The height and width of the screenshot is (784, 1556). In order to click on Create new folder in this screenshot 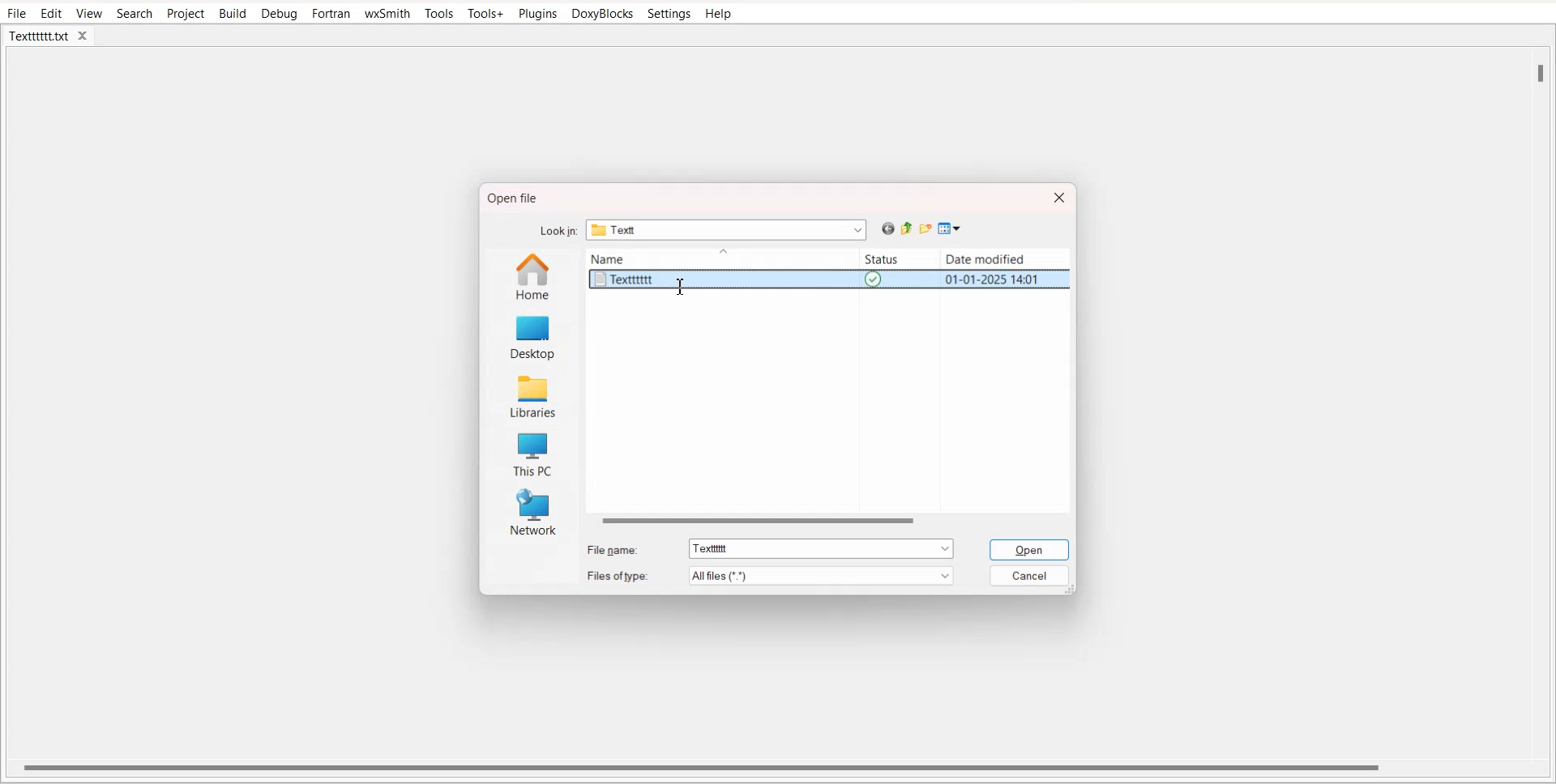, I will do `click(928, 228)`.